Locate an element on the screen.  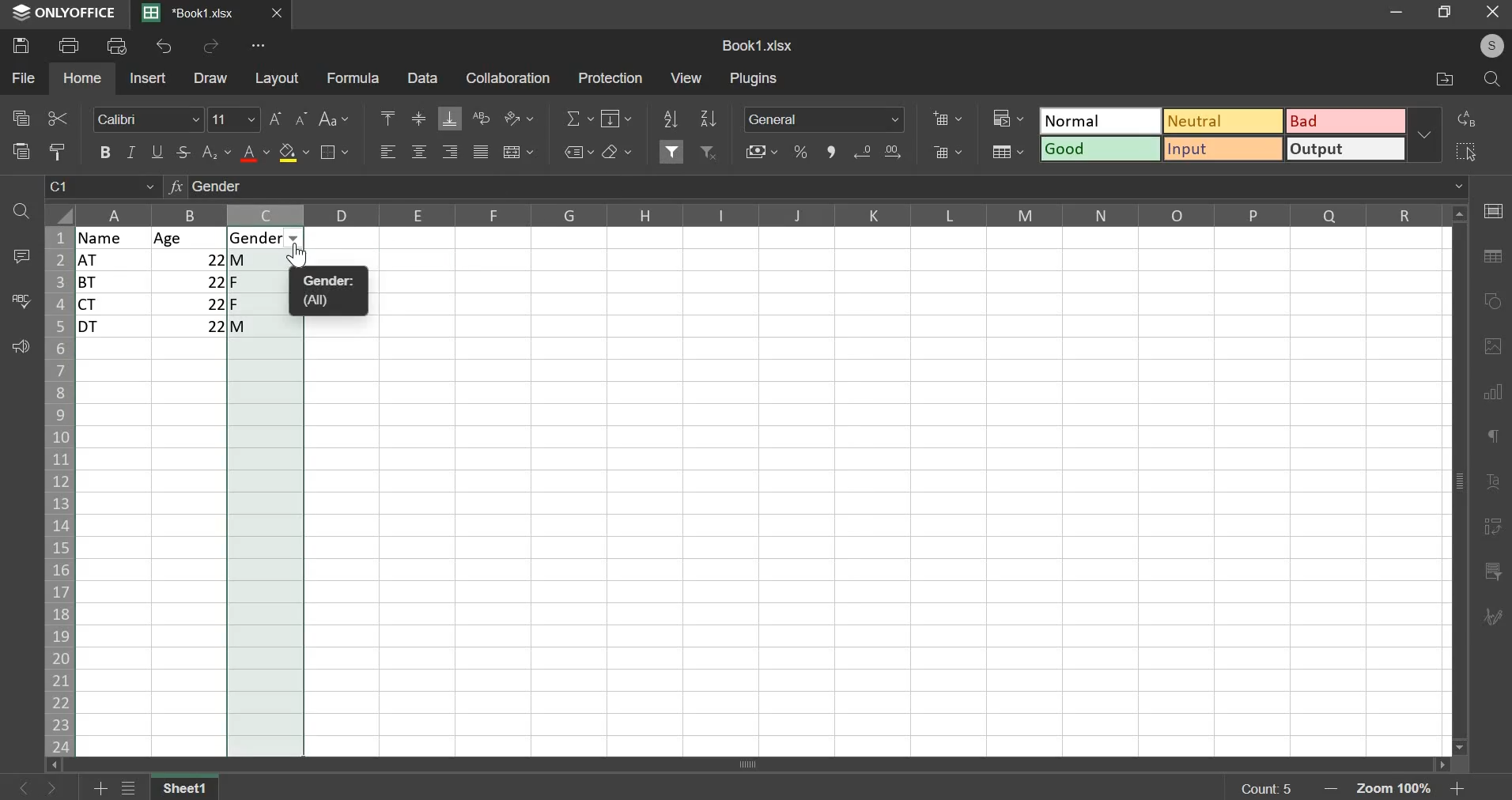
fill is located at coordinates (615, 119).